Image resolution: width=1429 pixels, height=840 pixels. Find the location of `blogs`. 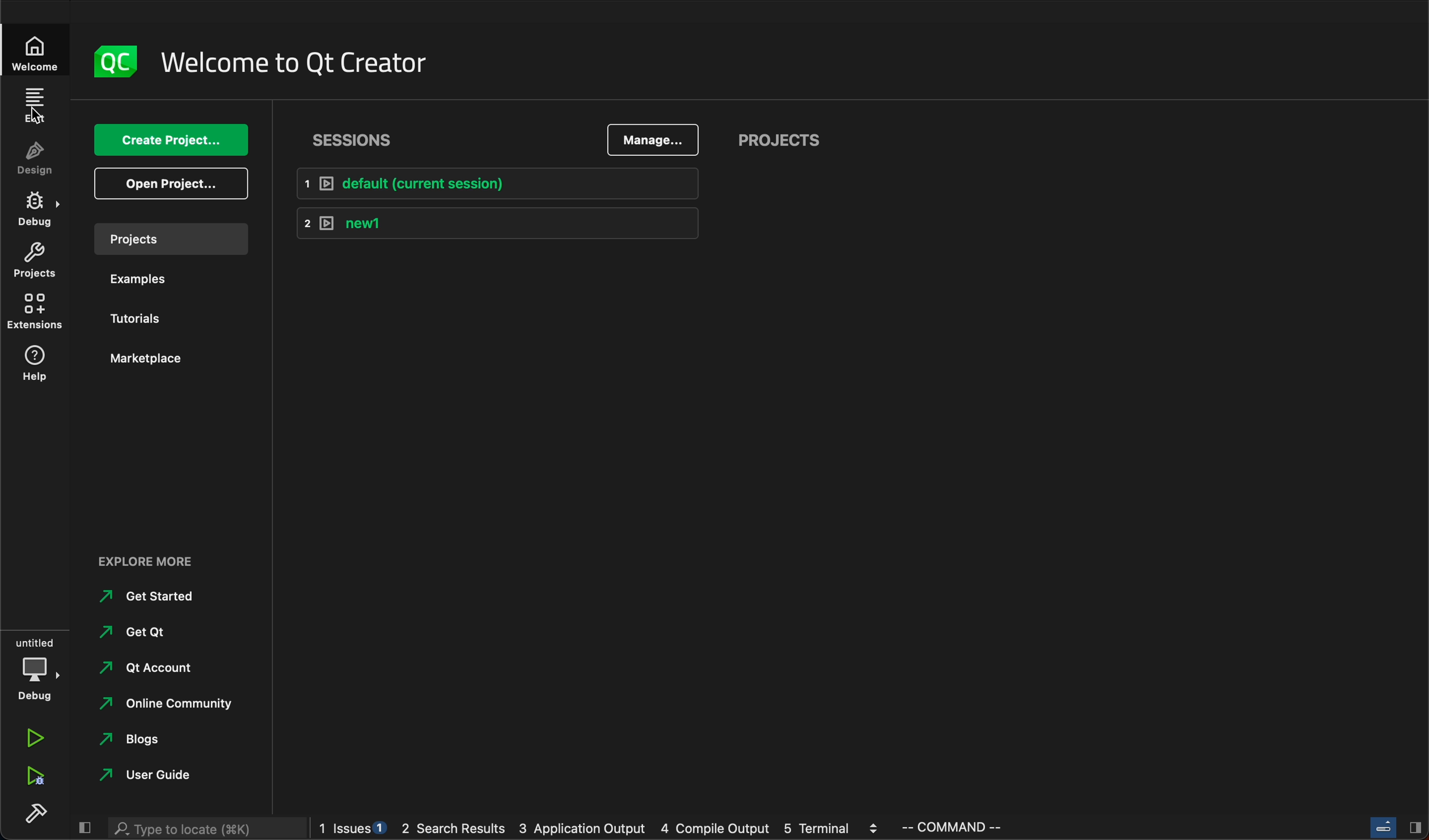

blogs is located at coordinates (141, 741).